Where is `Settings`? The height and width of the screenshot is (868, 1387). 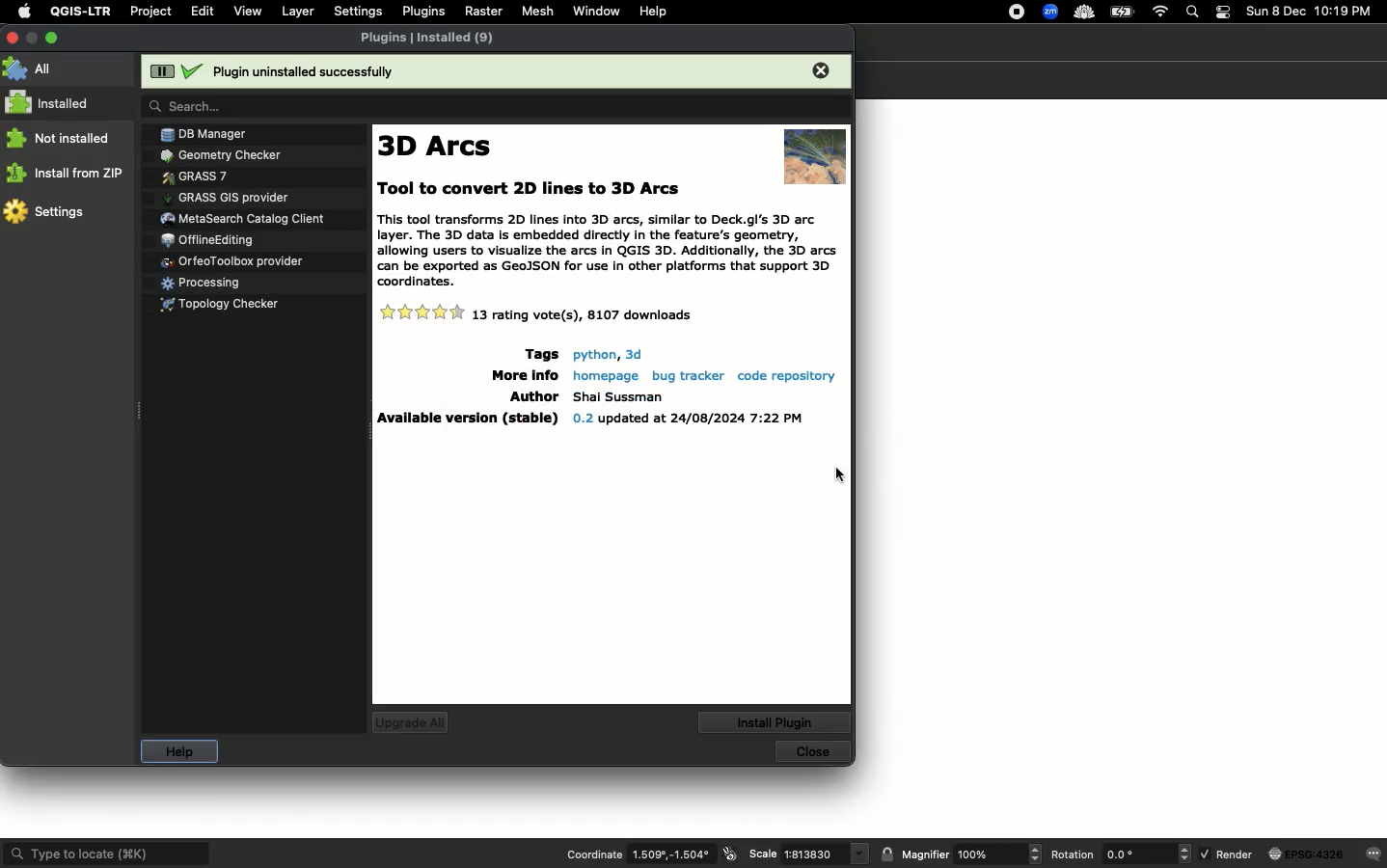 Settings is located at coordinates (47, 213).